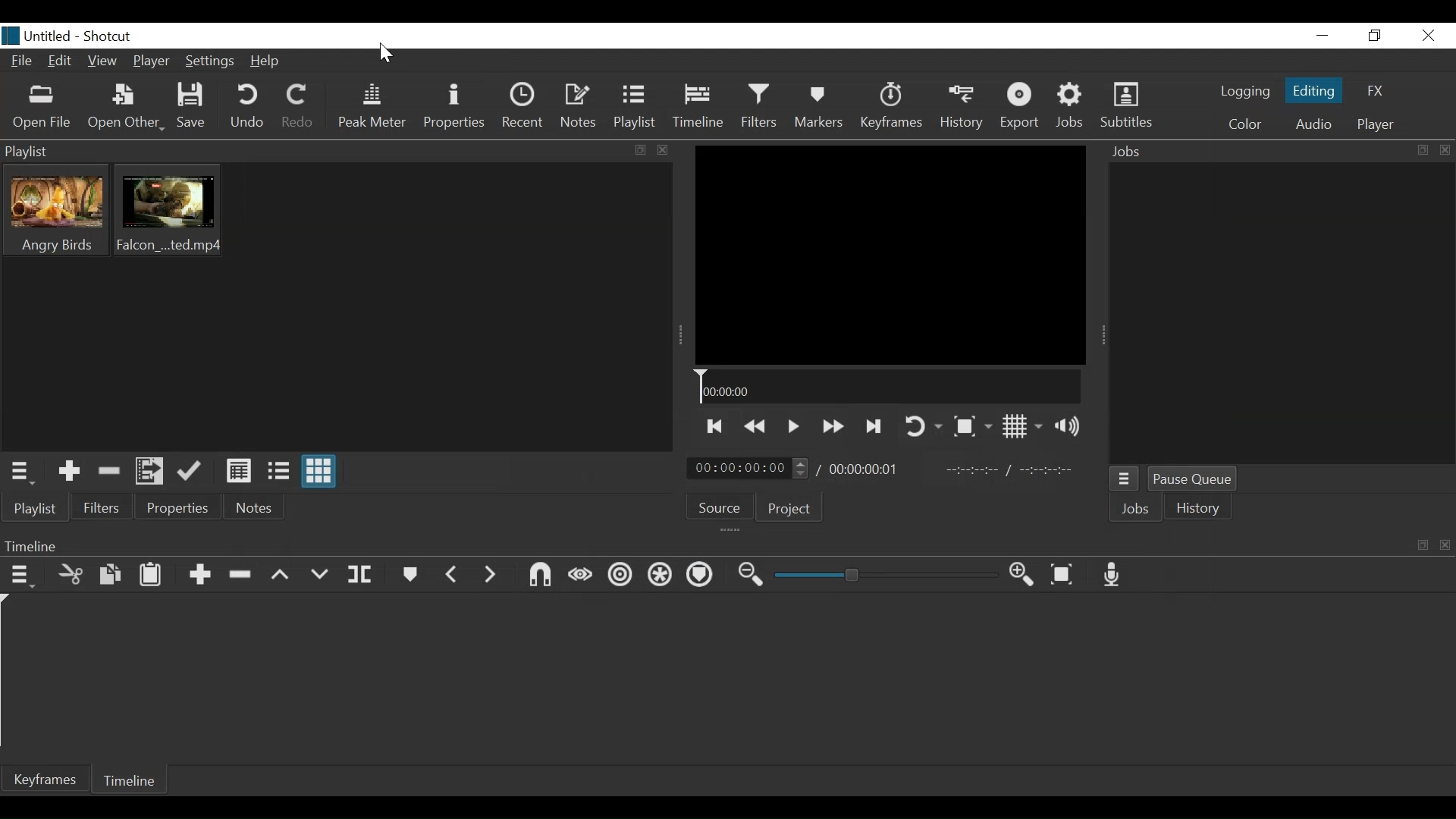 The height and width of the screenshot is (819, 1456). I want to click on File name, so click(37, 36).